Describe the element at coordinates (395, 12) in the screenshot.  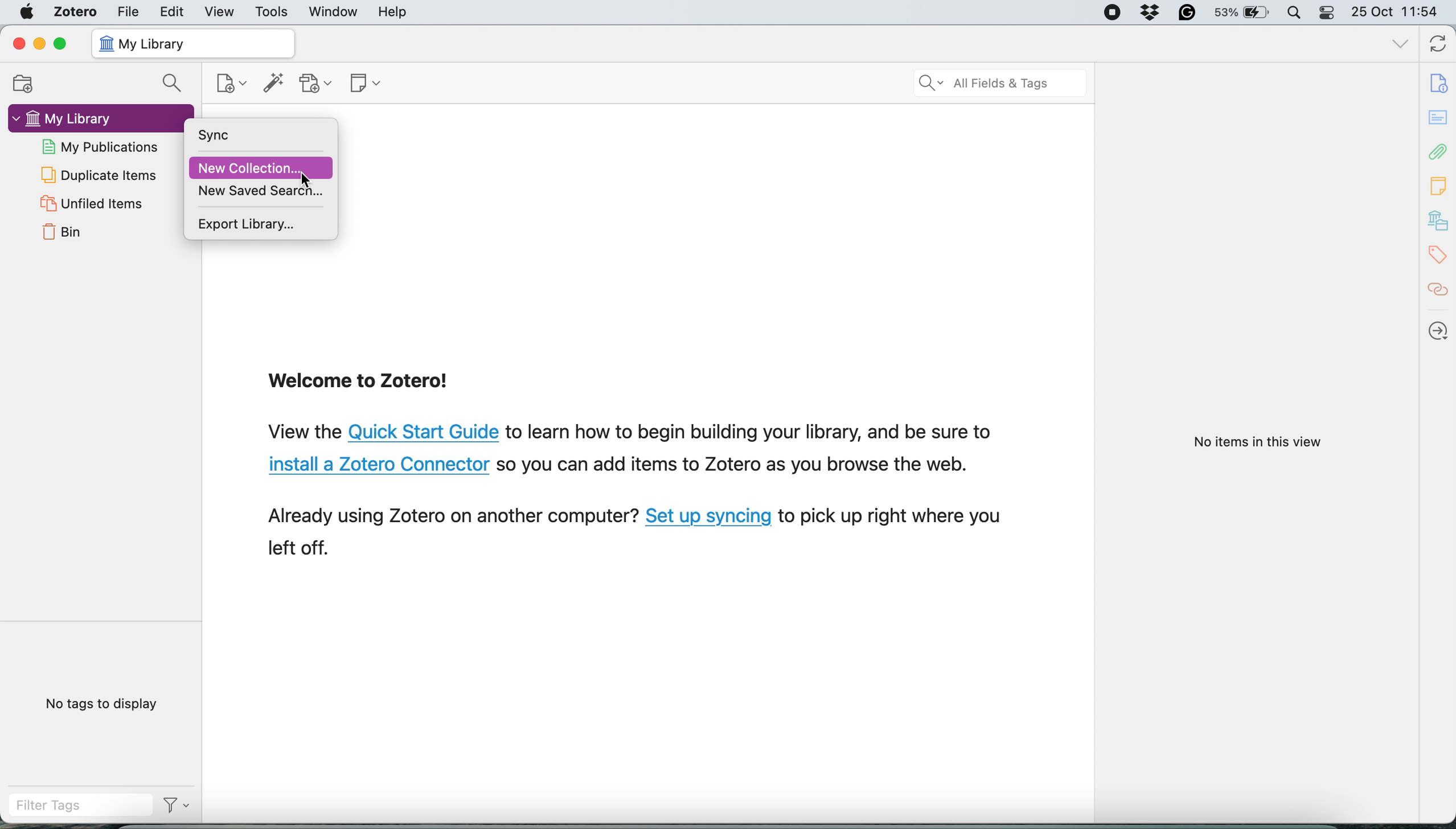
I see `help` at that location.